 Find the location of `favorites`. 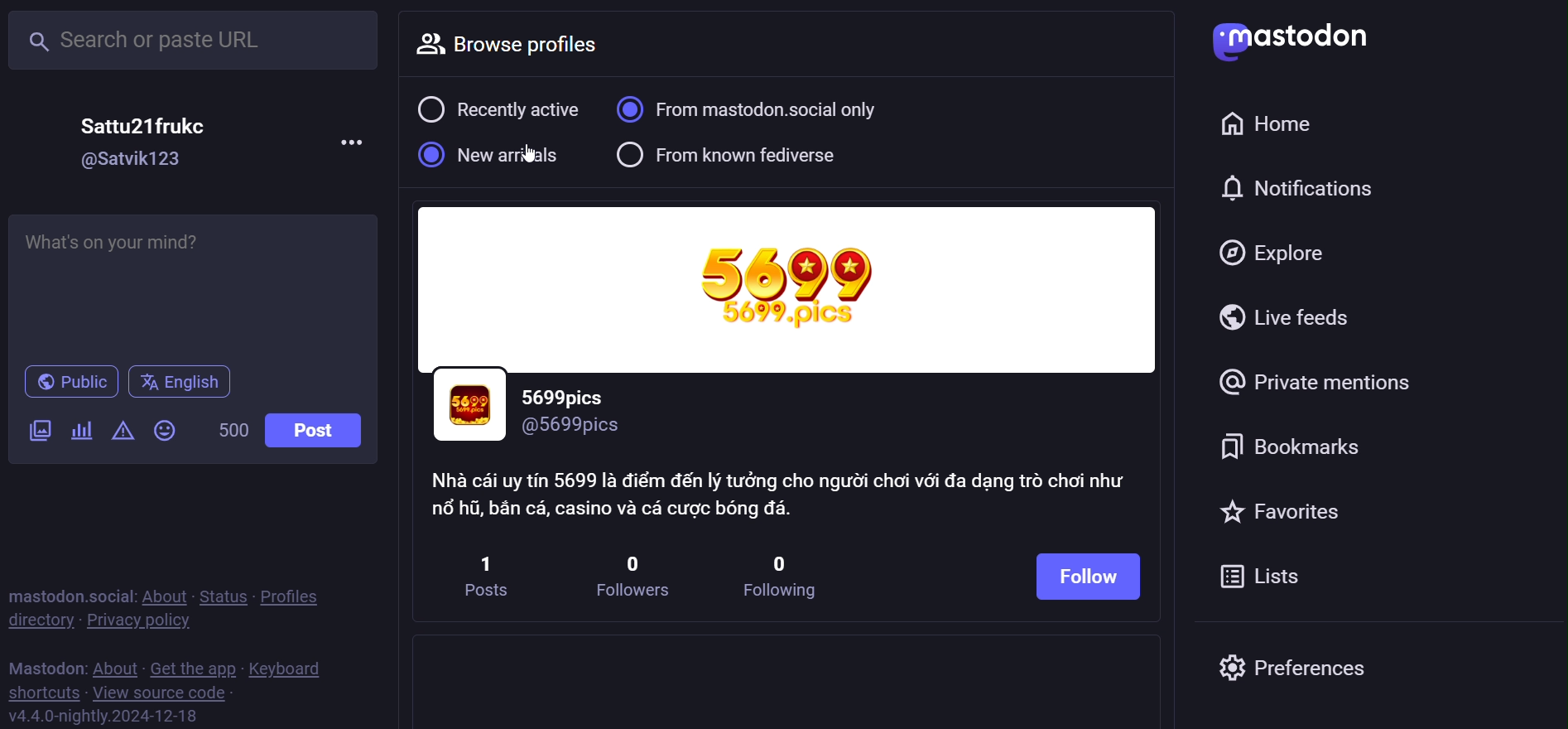

favorites is located at coordinates (1285, 513).